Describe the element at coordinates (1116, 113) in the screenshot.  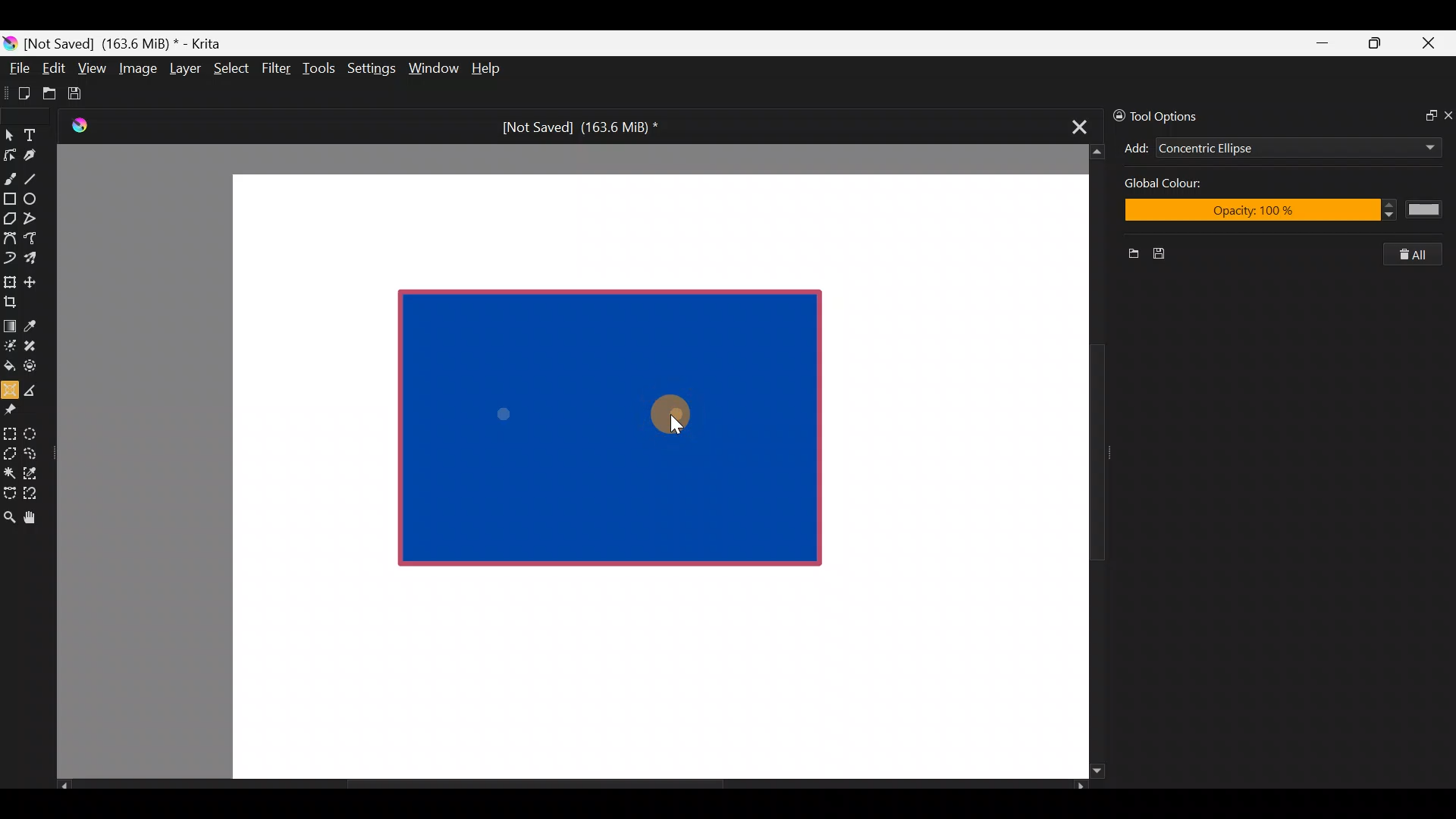
I see `Lock/unlock docker` at that location.